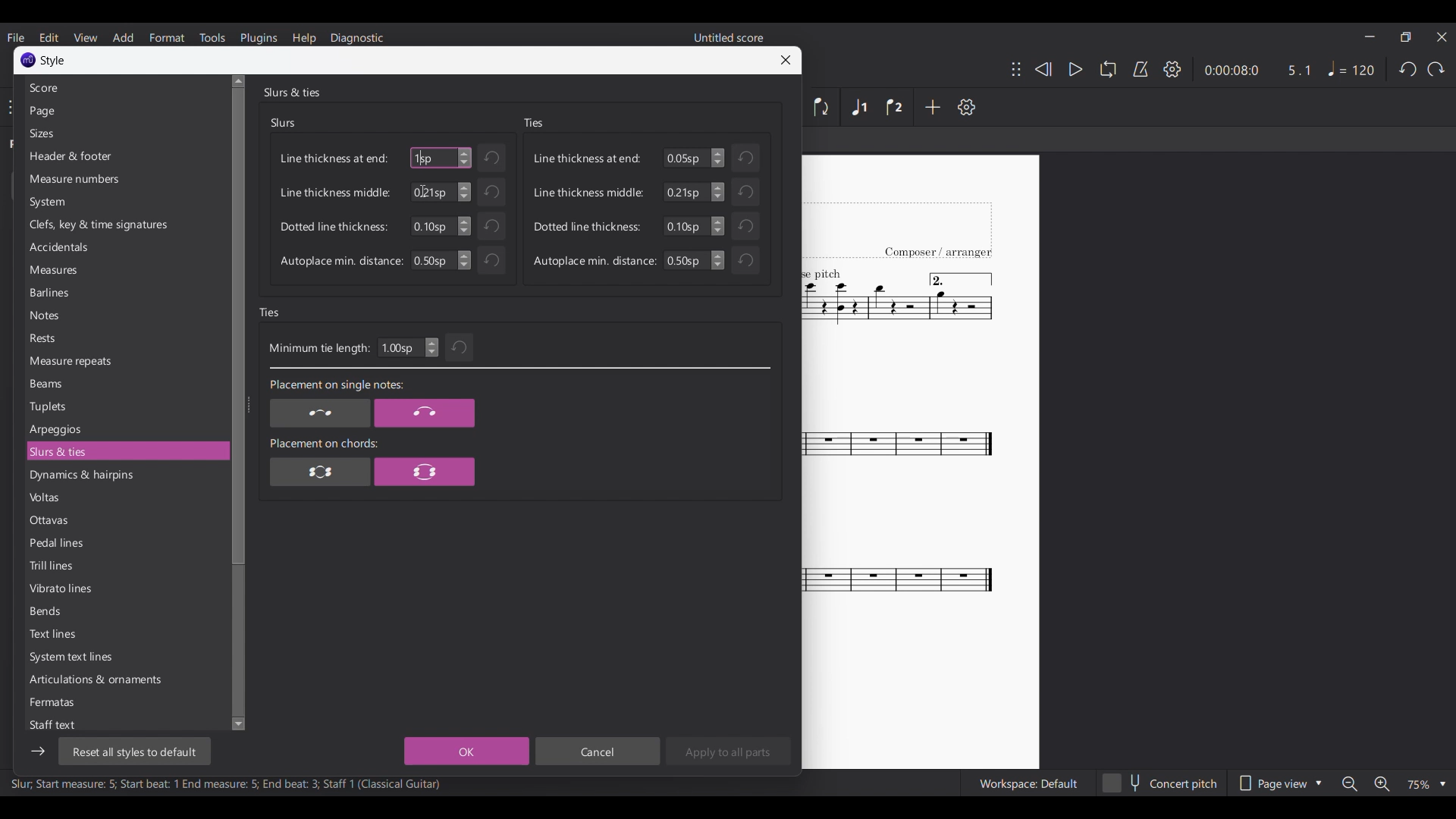 This screenshot has height=819, width=1456. I want to click on Undo, so click(1407, 69).